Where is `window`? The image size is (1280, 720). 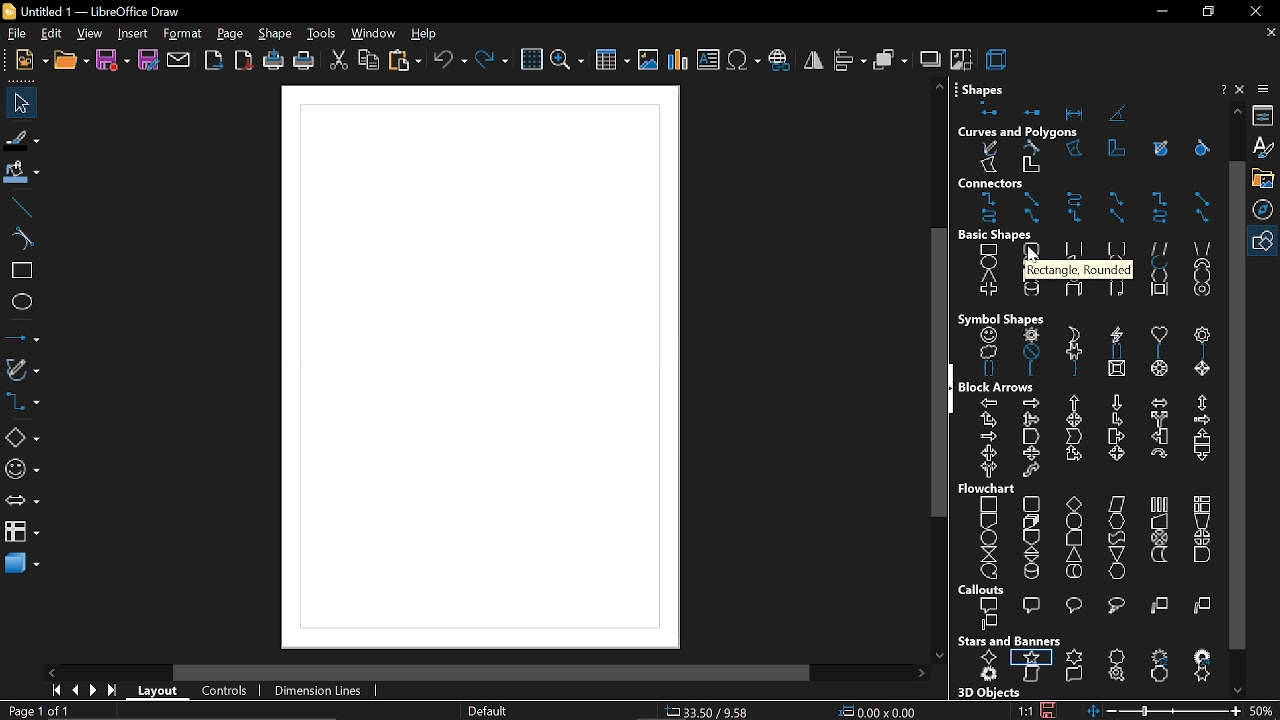 window is located at coordinates (372, 35).